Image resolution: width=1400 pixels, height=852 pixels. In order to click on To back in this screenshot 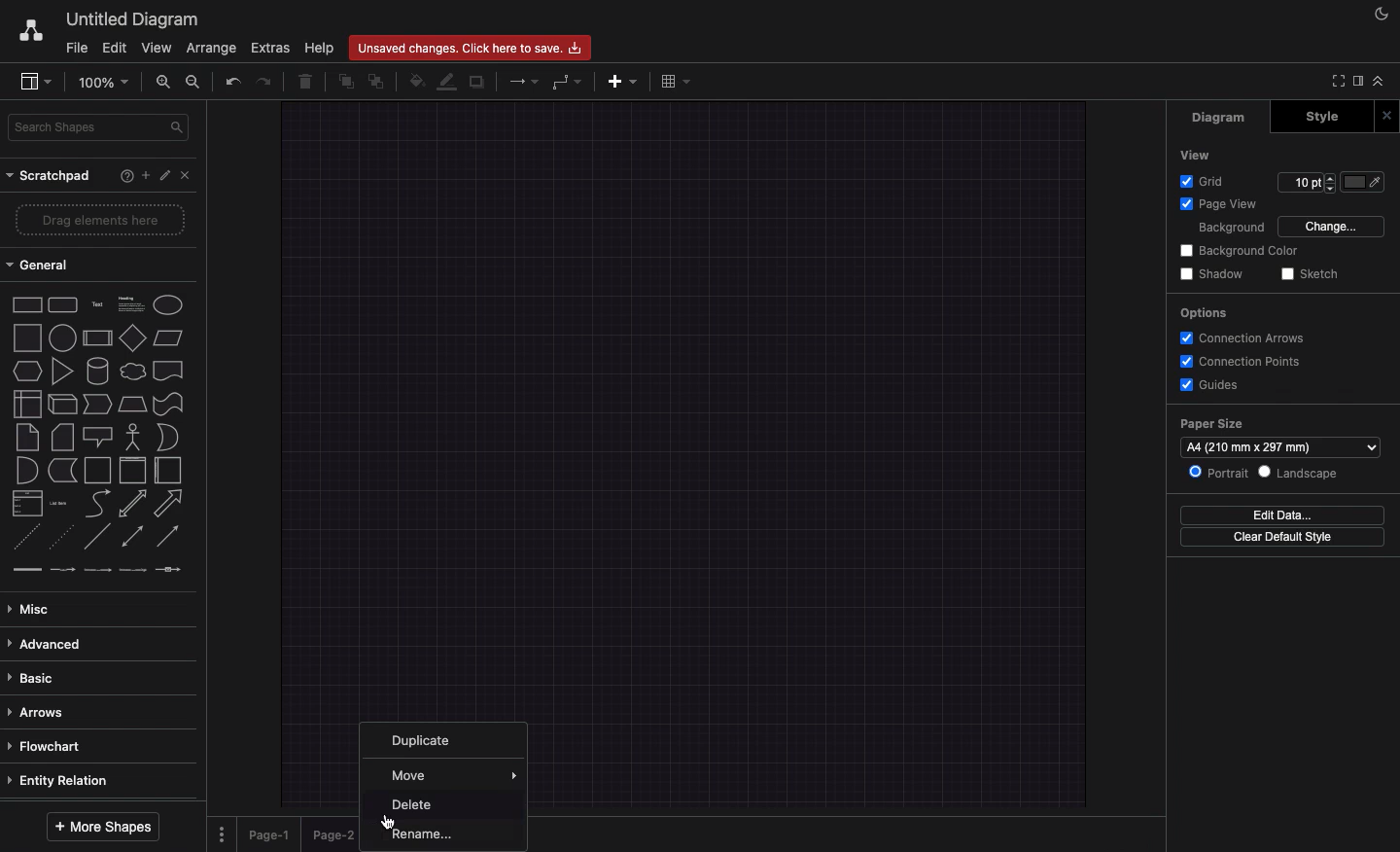, I will do `click(377, 83)`.